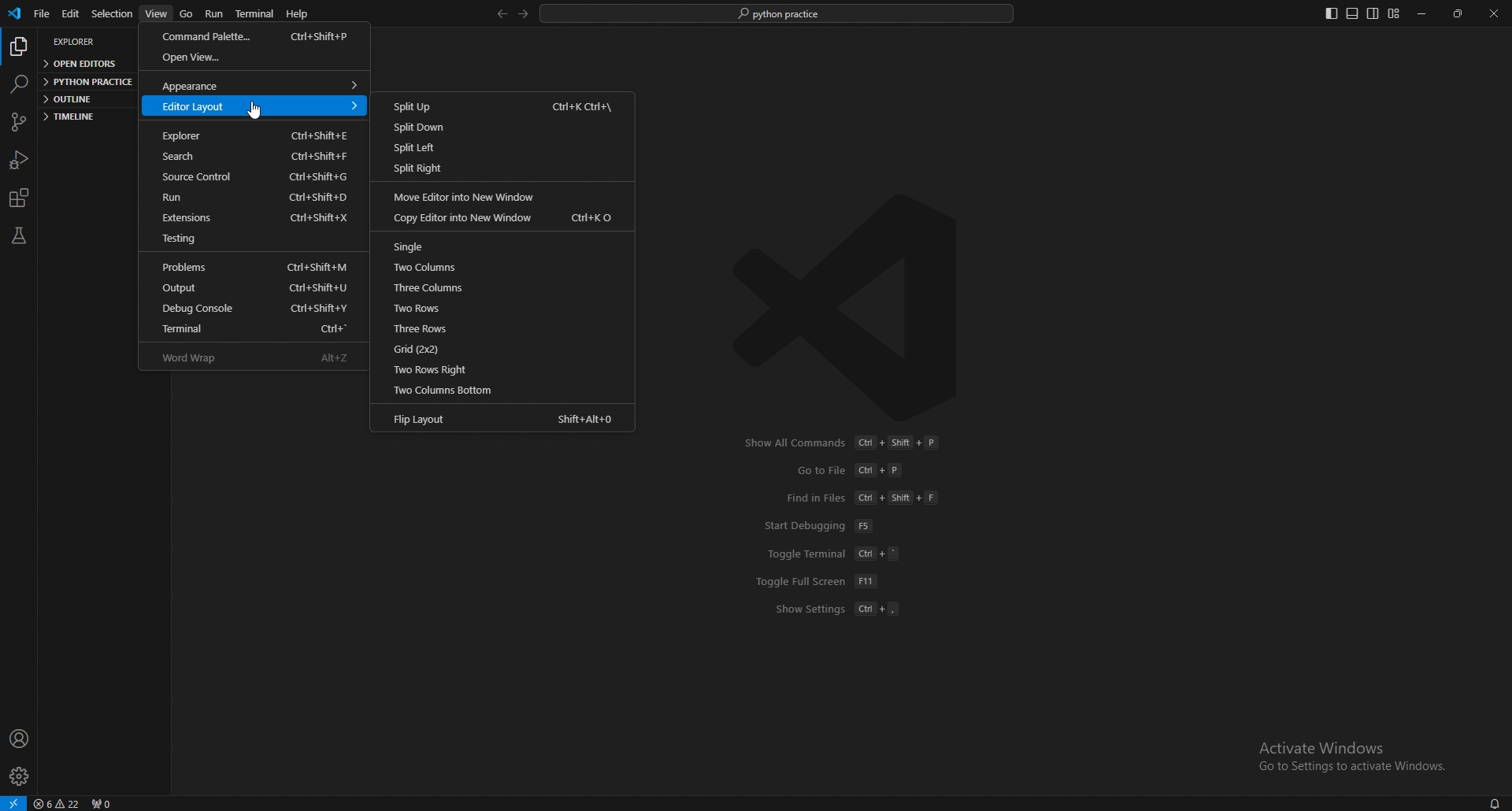 The image size is (1512, 811). Describe the element at coordinates (215, 13) in the screenshot. I see `run` at that location.